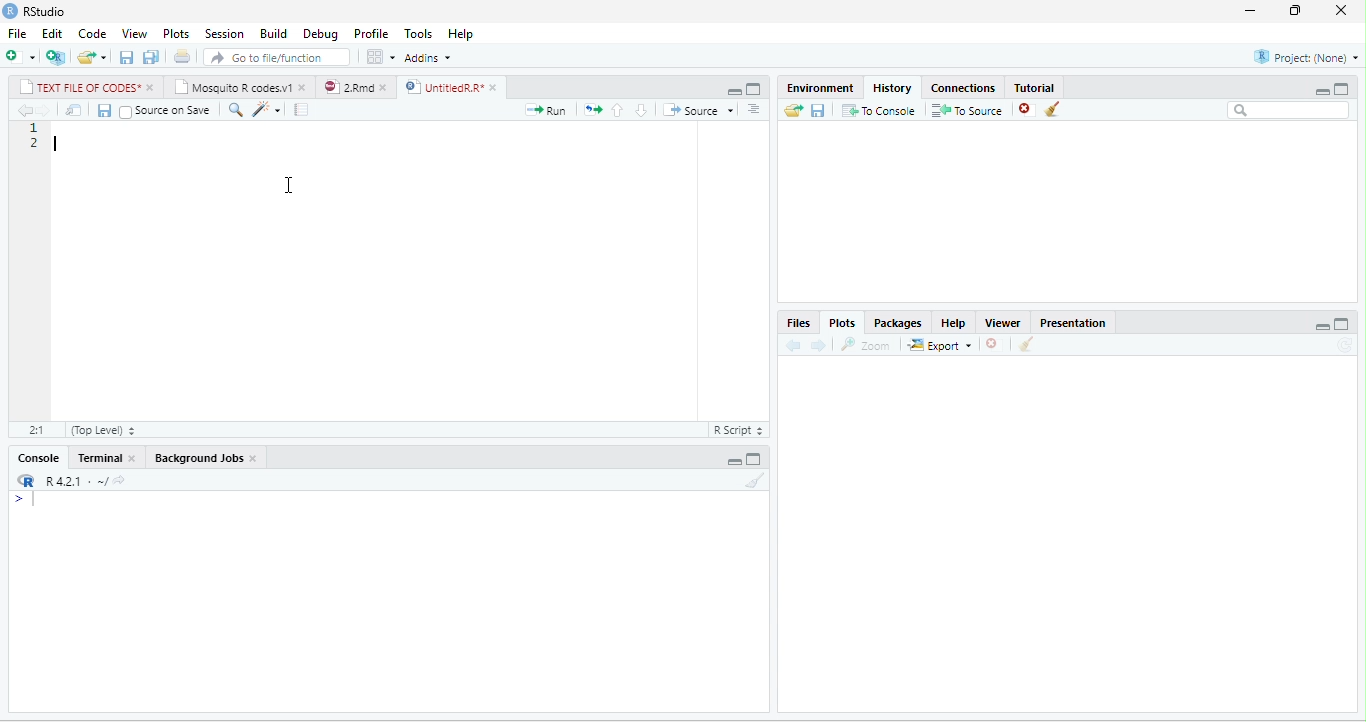 Image resolution: width=1366 pixels, height=722 pixels. What do you see at coordinates (52, 33) in the screenshot?
I see `Edit` at bounding box center [52, 33].